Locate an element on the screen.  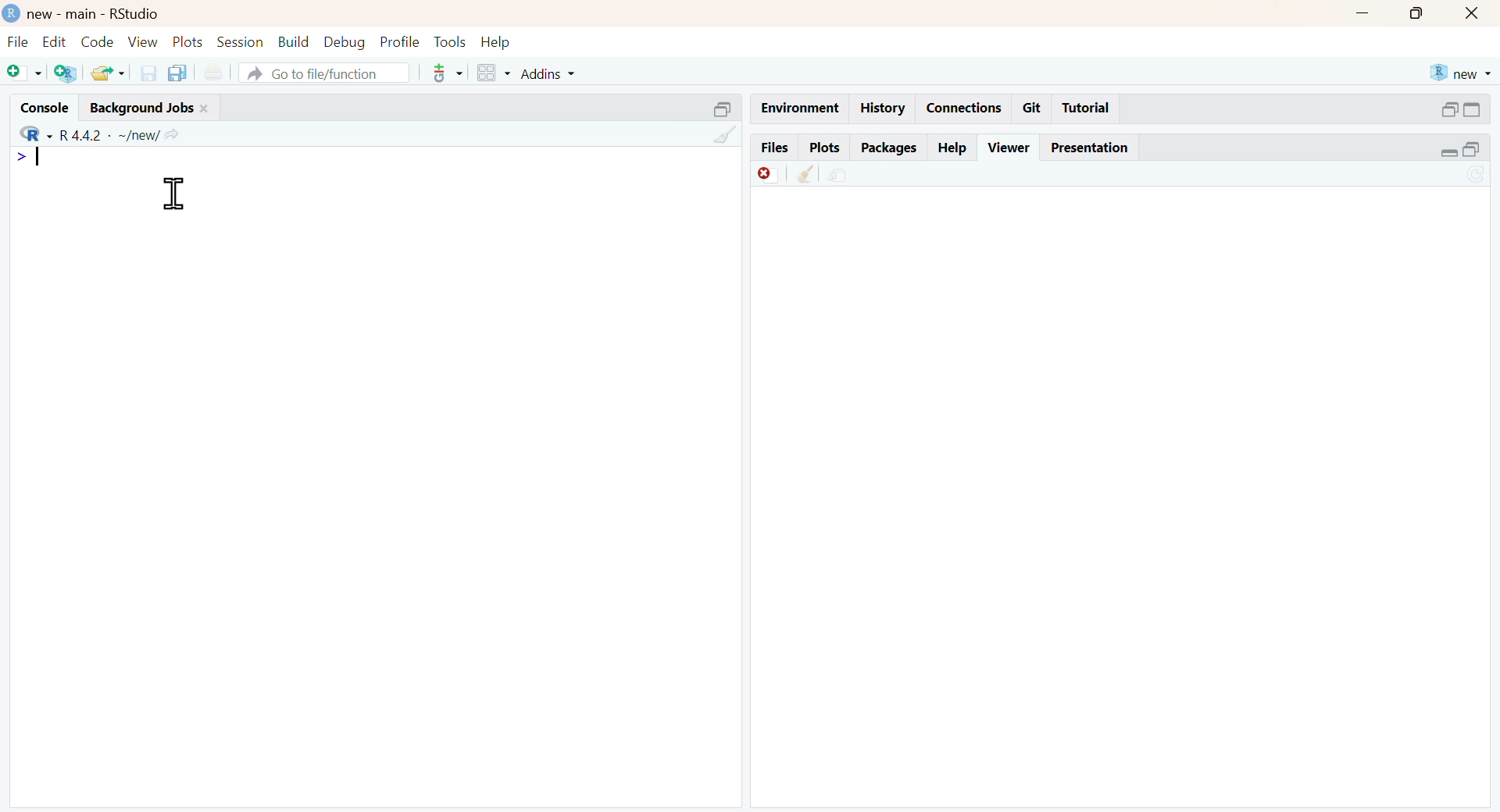
save is located at coordinates (150, 73).